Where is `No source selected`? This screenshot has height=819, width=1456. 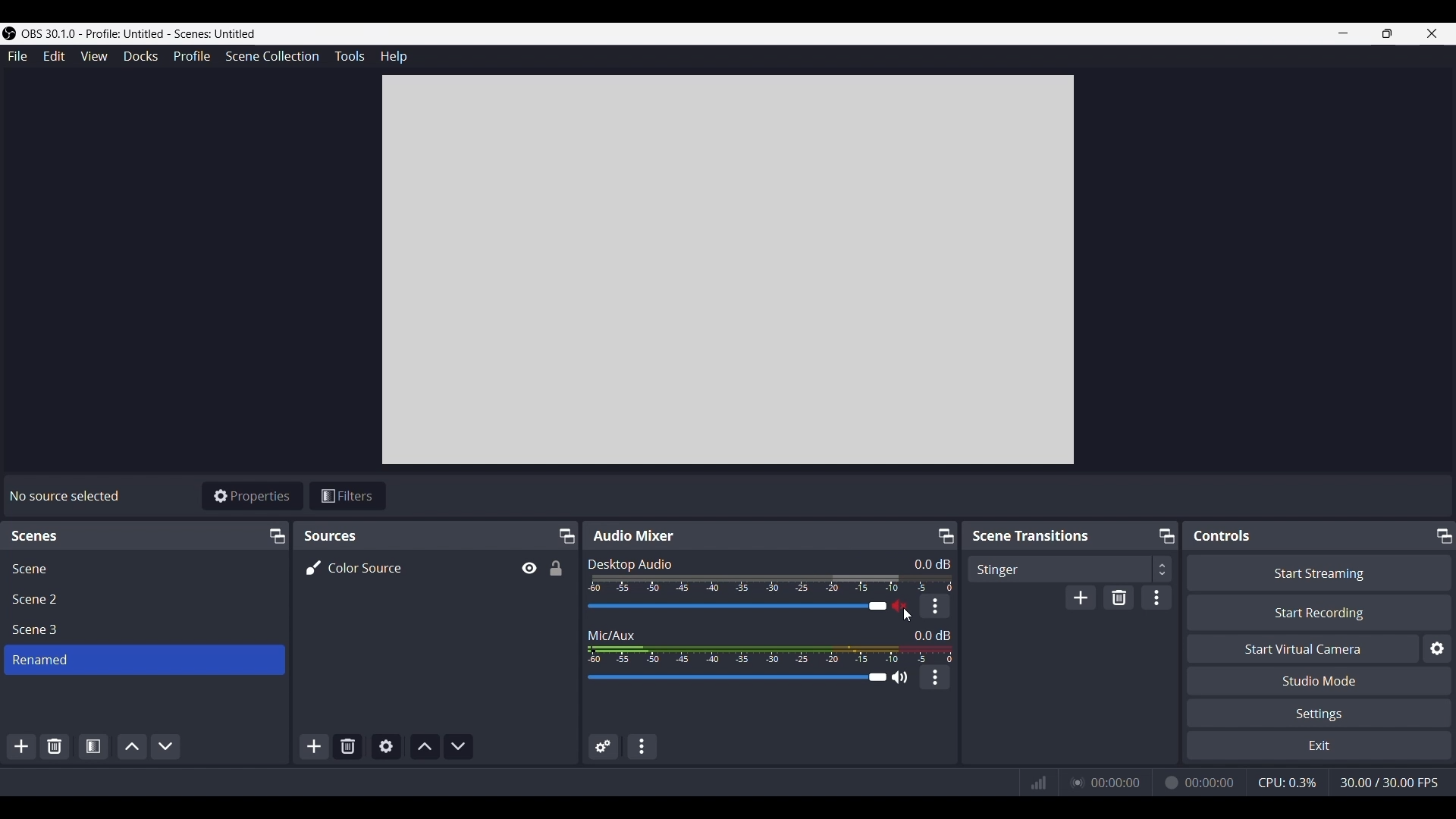
No source selected is located at coordinates (68, 493).